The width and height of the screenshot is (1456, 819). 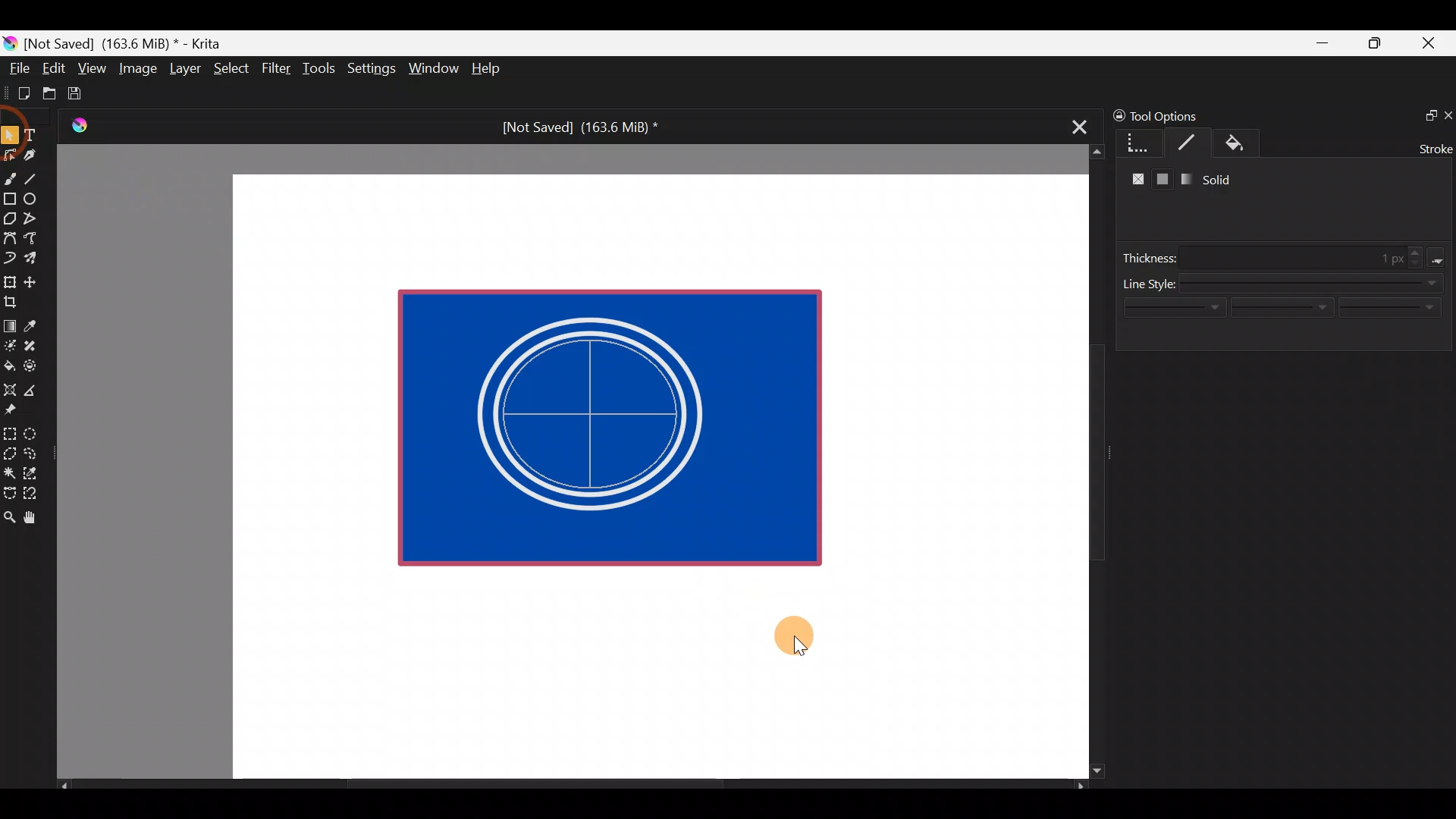 What do you see at coordinates (1163, 180) in the screenshot?
I see `Solid color fill` at bounding box center [1163, 180].